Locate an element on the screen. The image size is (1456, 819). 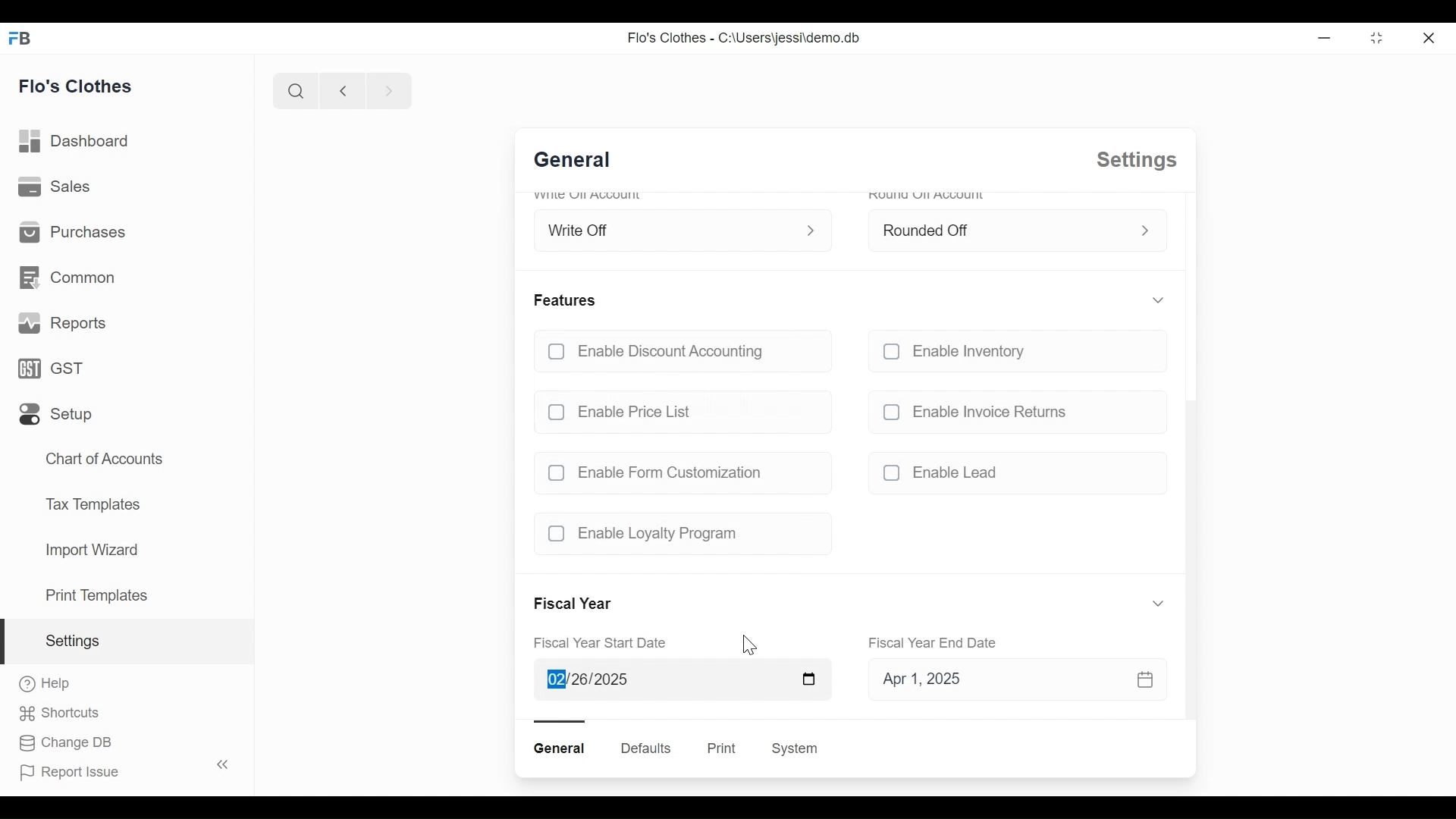
Help is located at coordinates (45, 685).